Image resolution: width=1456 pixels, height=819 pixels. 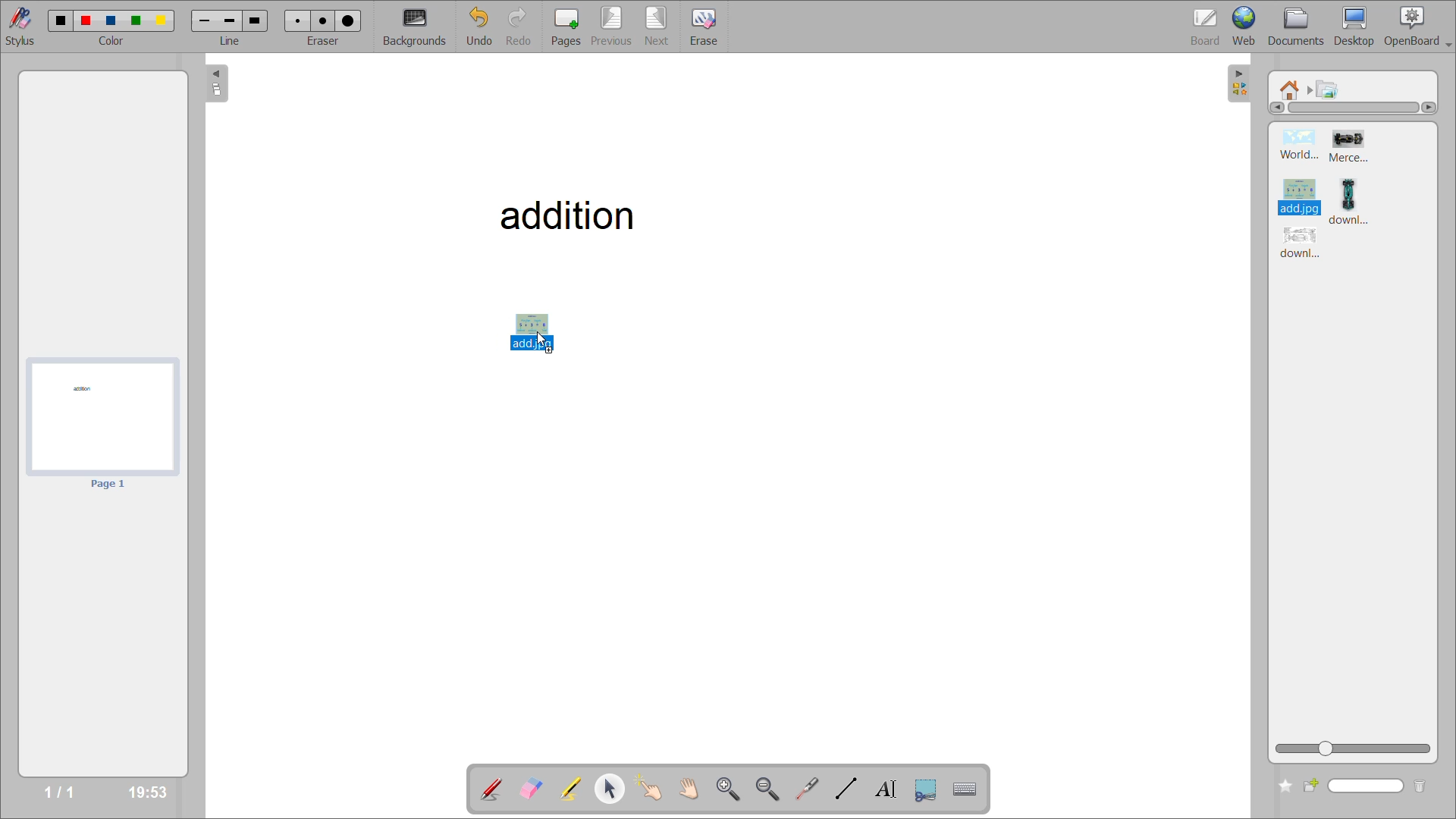 What do you see at coordinates (1423, 787) in the screenshot?
I see `delete` at bounding box center [1423, 787].